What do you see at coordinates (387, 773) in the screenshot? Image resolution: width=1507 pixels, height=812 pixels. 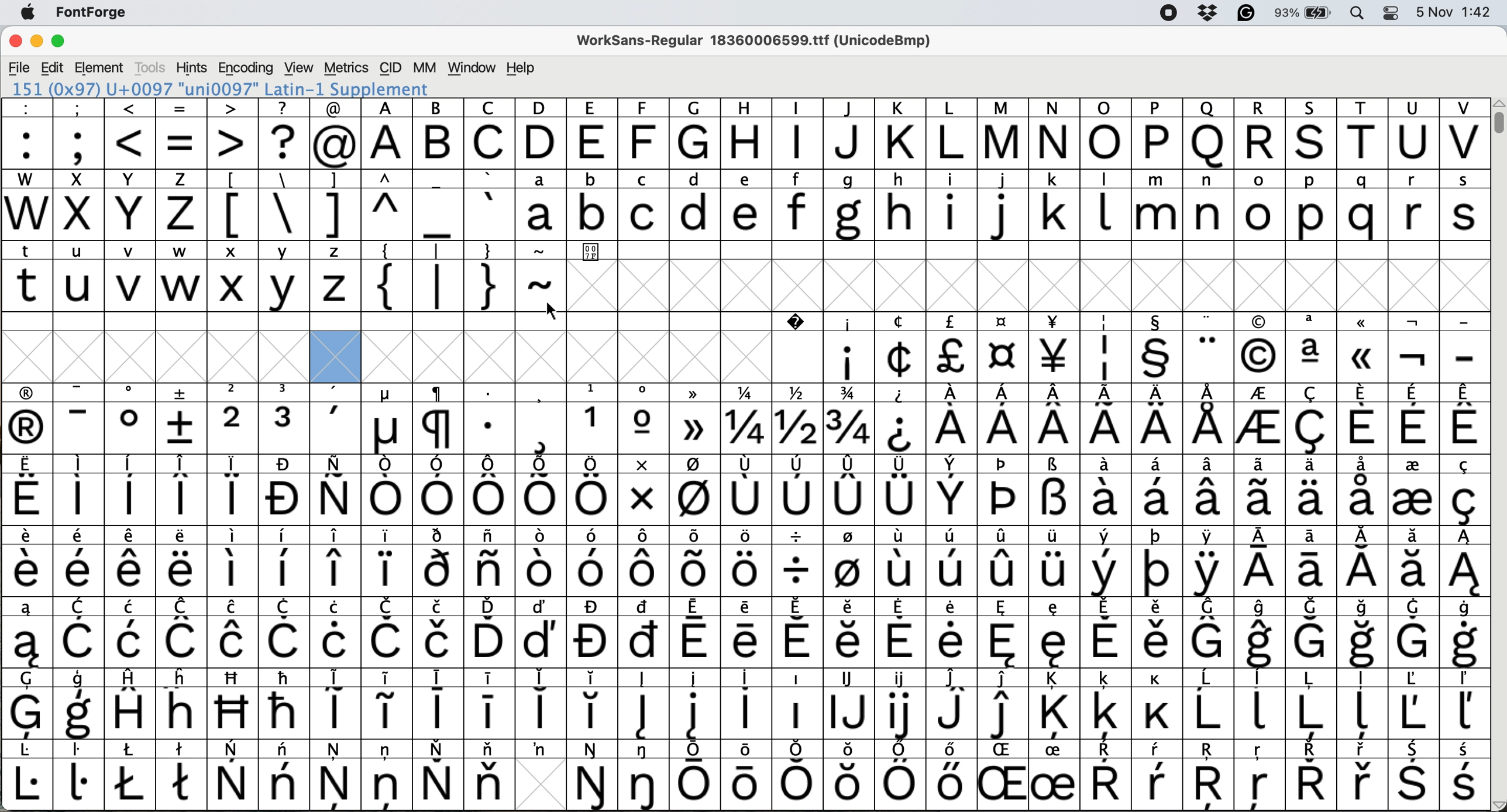 I see `symbol` at bounding box center [387, 773].